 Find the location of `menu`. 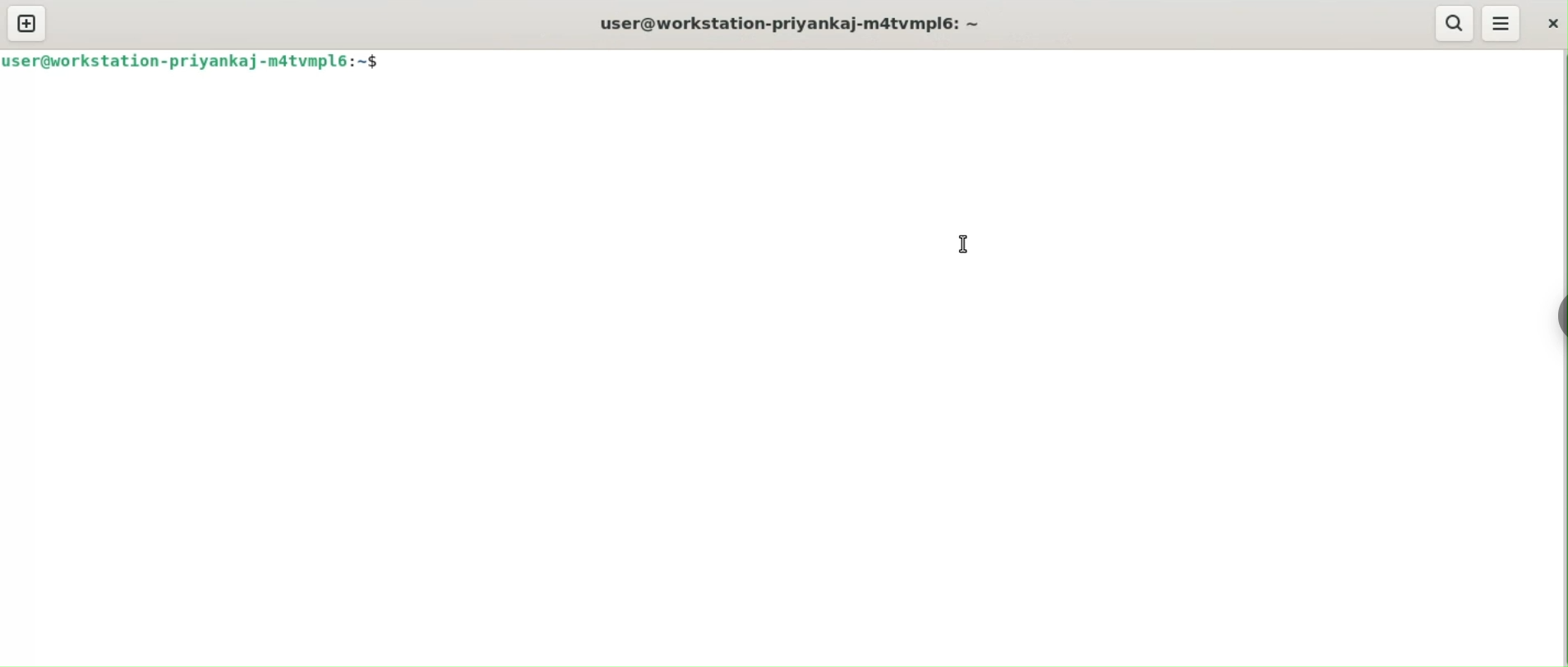

menu is located at coordinates (1504, 25).